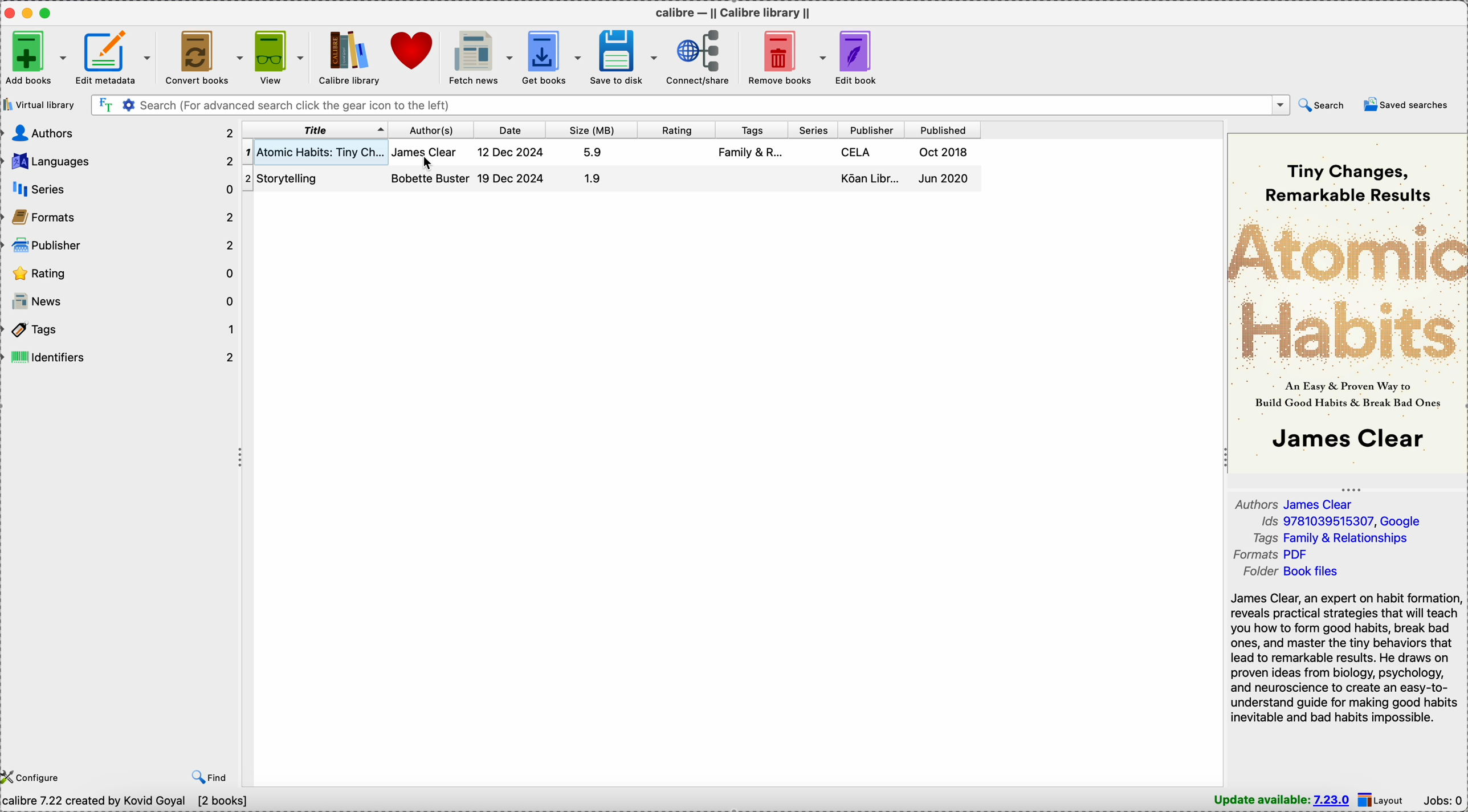 The width and height of the screenshot is (1468, 812). Describe the element at coordinates (34, 776) in the screenshot. I see `configure` at that location.